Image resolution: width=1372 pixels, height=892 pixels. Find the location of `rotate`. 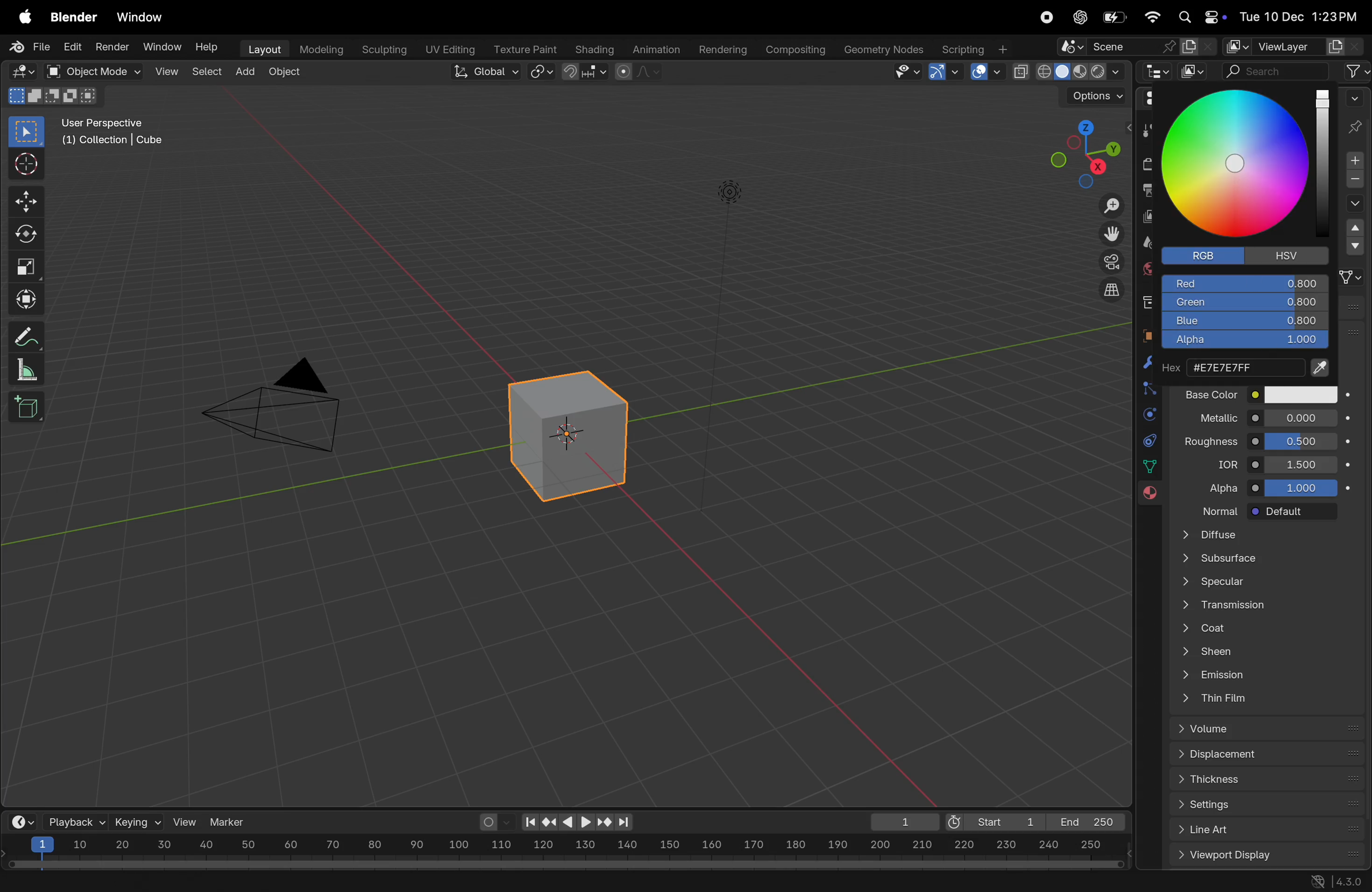

rotate is located at coordinates (24, 235).